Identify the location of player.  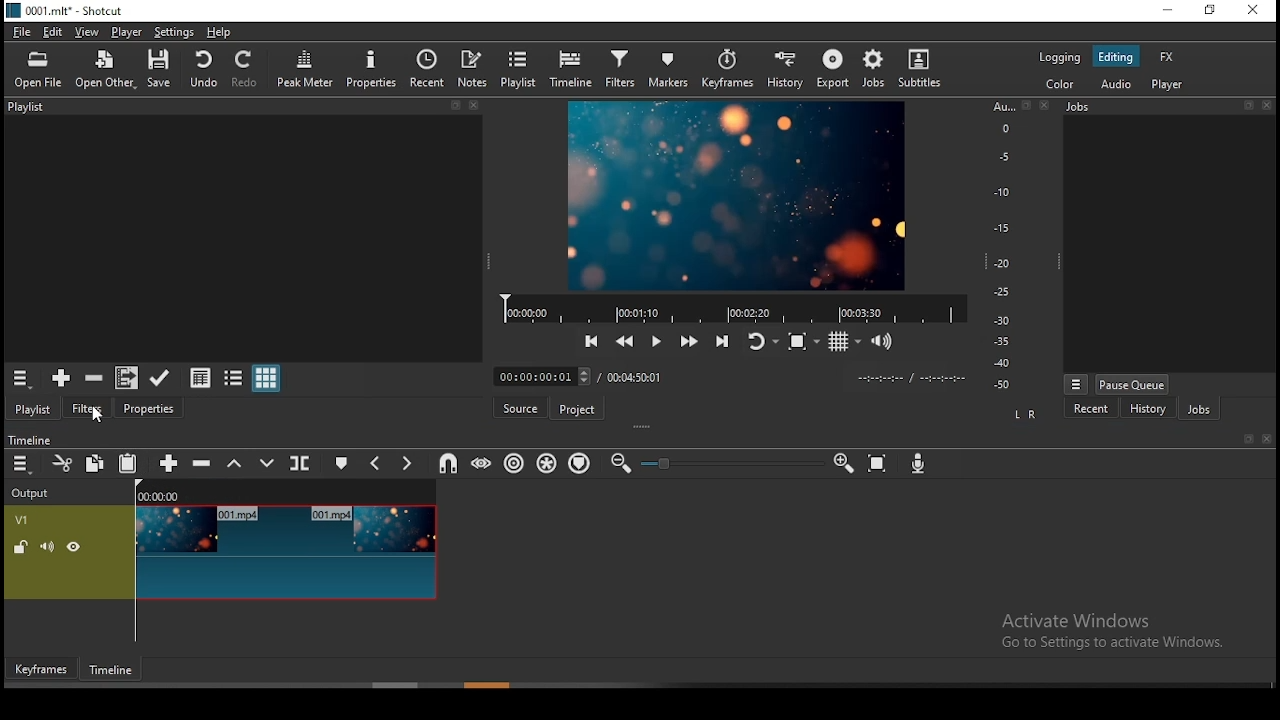
(124, 32).